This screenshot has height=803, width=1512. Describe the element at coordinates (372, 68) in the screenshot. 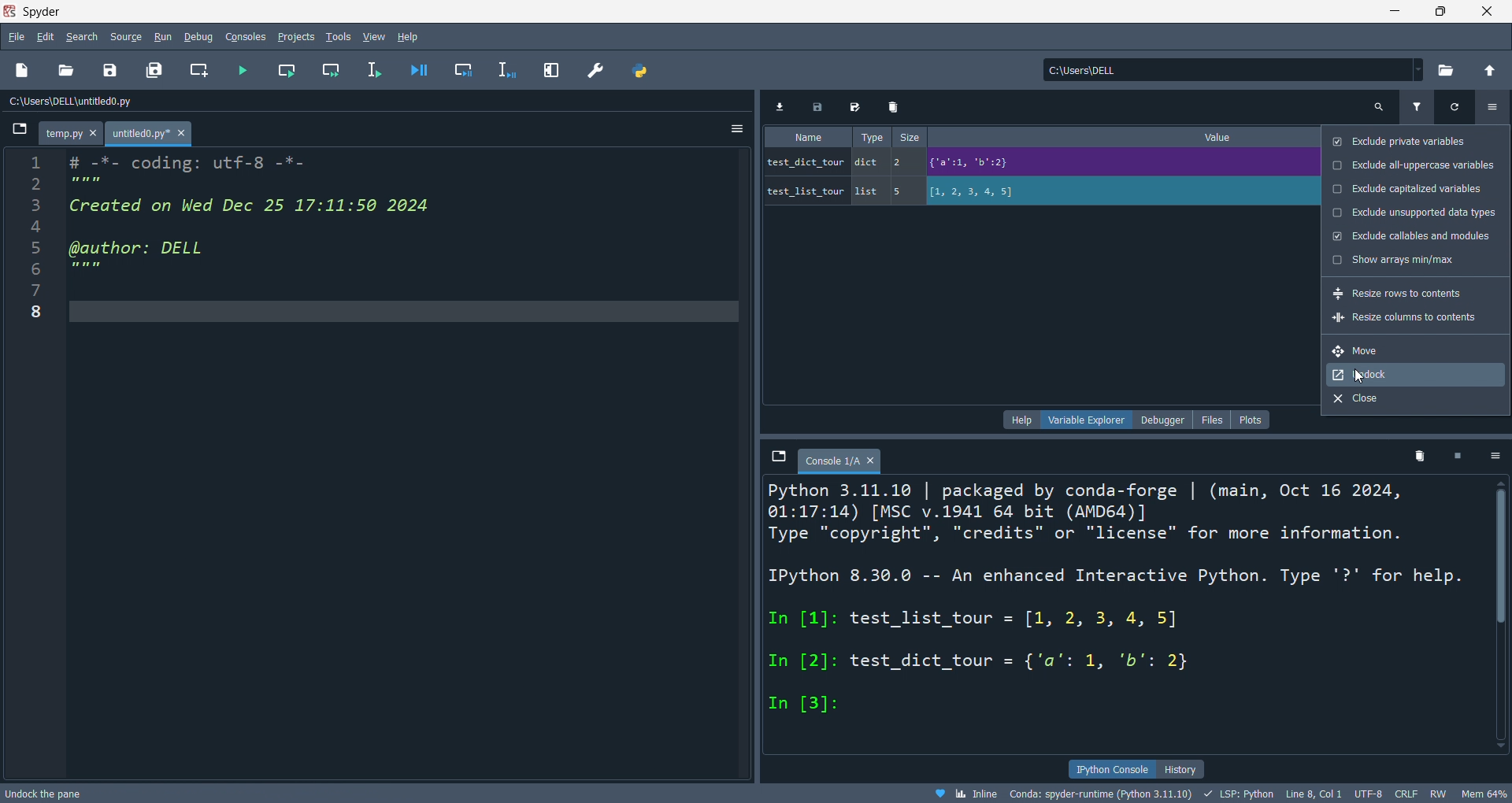

I see `run line` at that location.